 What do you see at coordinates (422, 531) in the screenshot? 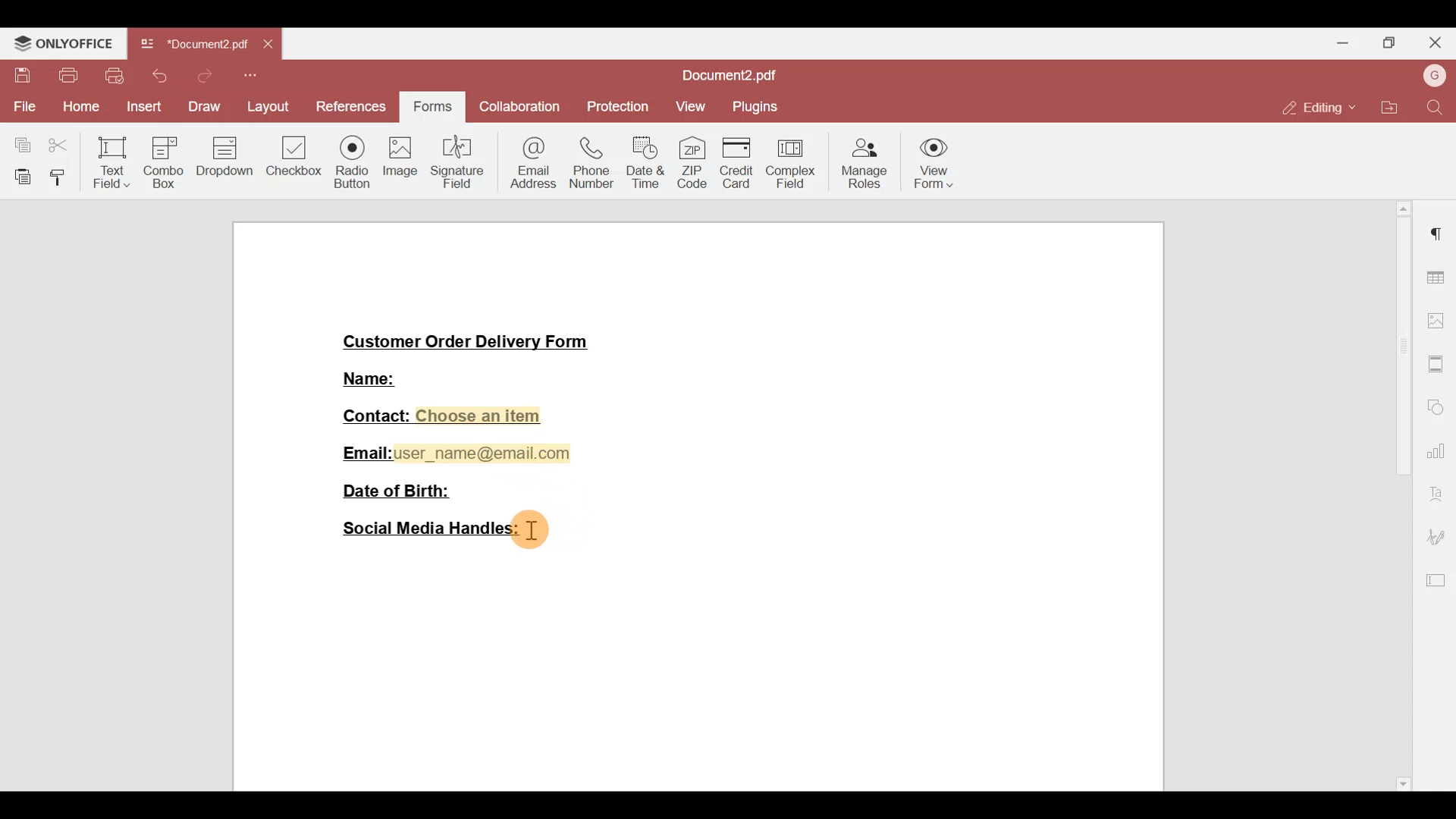
I see `Social Media Handles` at bounding box center [422, 531].